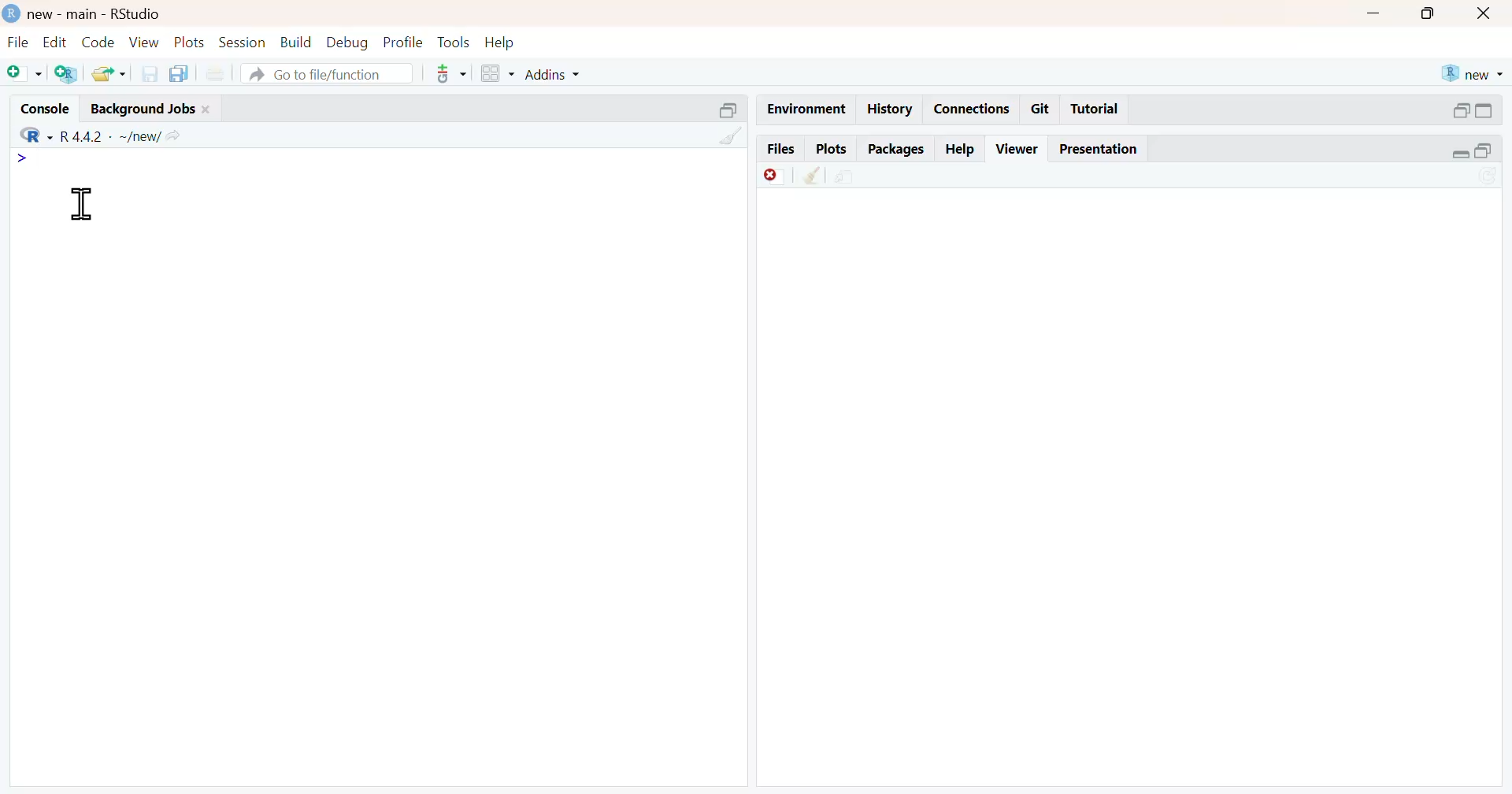 The width and height of the screenshot is (1512, 794). Describe the element at coordinates (217, 75) in the screenshot. I see `print new file` at that location.